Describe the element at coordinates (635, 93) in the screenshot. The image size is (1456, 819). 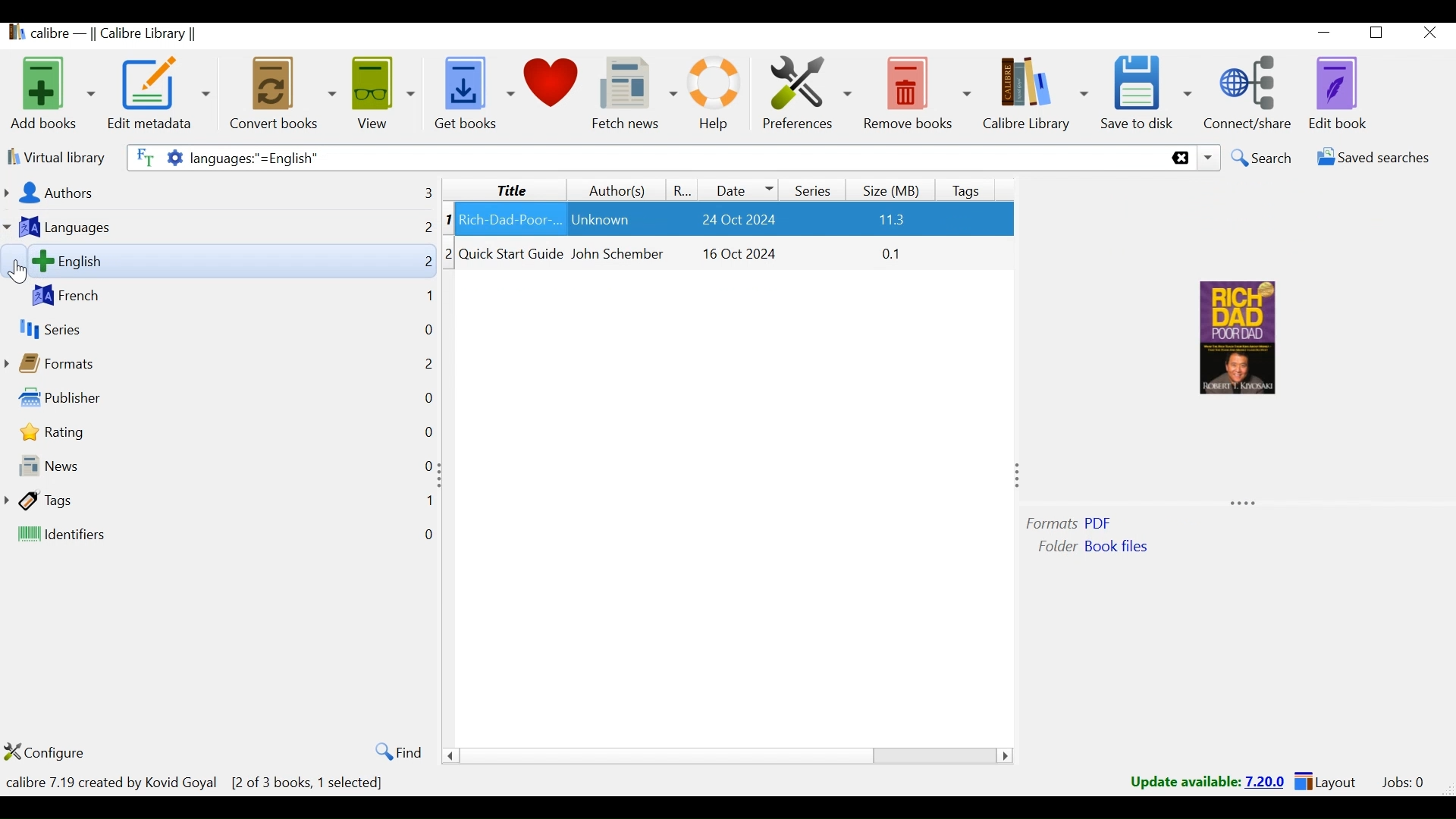
I see `Fetch news` at that location.